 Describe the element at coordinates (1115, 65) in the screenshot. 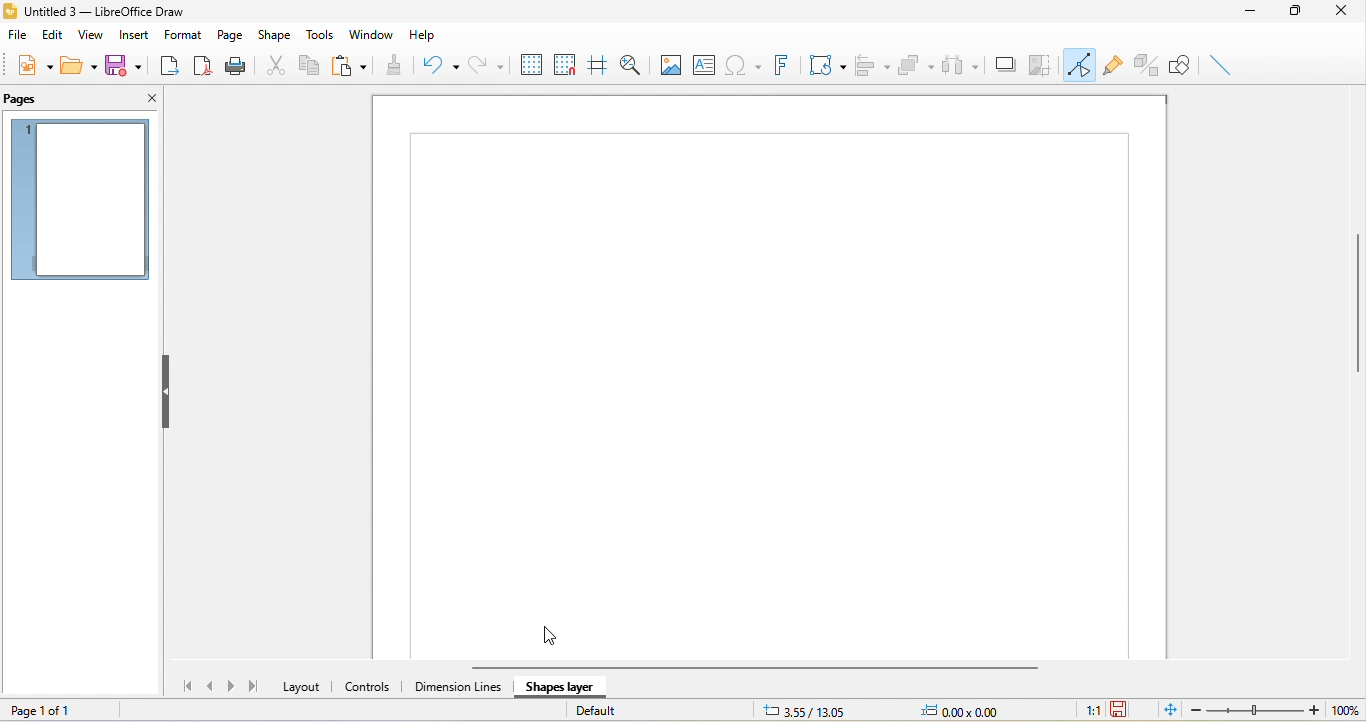

I see `gluepoint function` at that location.